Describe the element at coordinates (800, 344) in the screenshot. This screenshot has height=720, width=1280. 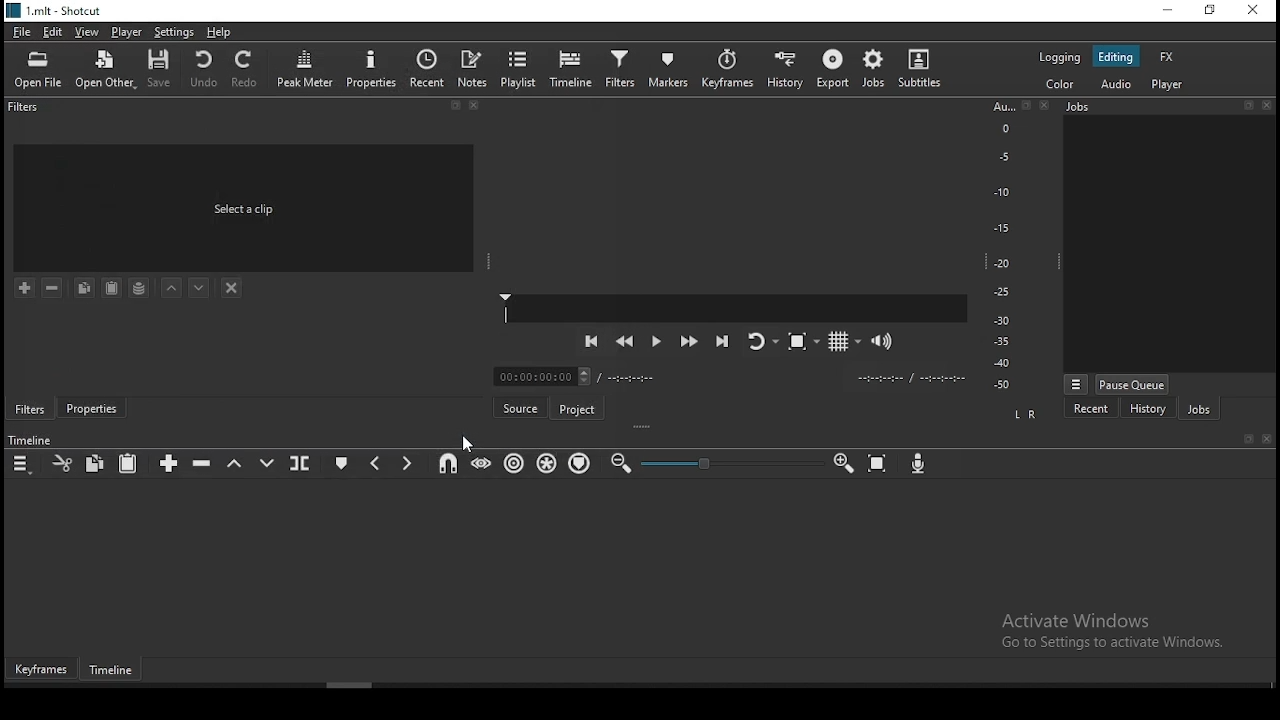
I see `toggle zoom` at that location.